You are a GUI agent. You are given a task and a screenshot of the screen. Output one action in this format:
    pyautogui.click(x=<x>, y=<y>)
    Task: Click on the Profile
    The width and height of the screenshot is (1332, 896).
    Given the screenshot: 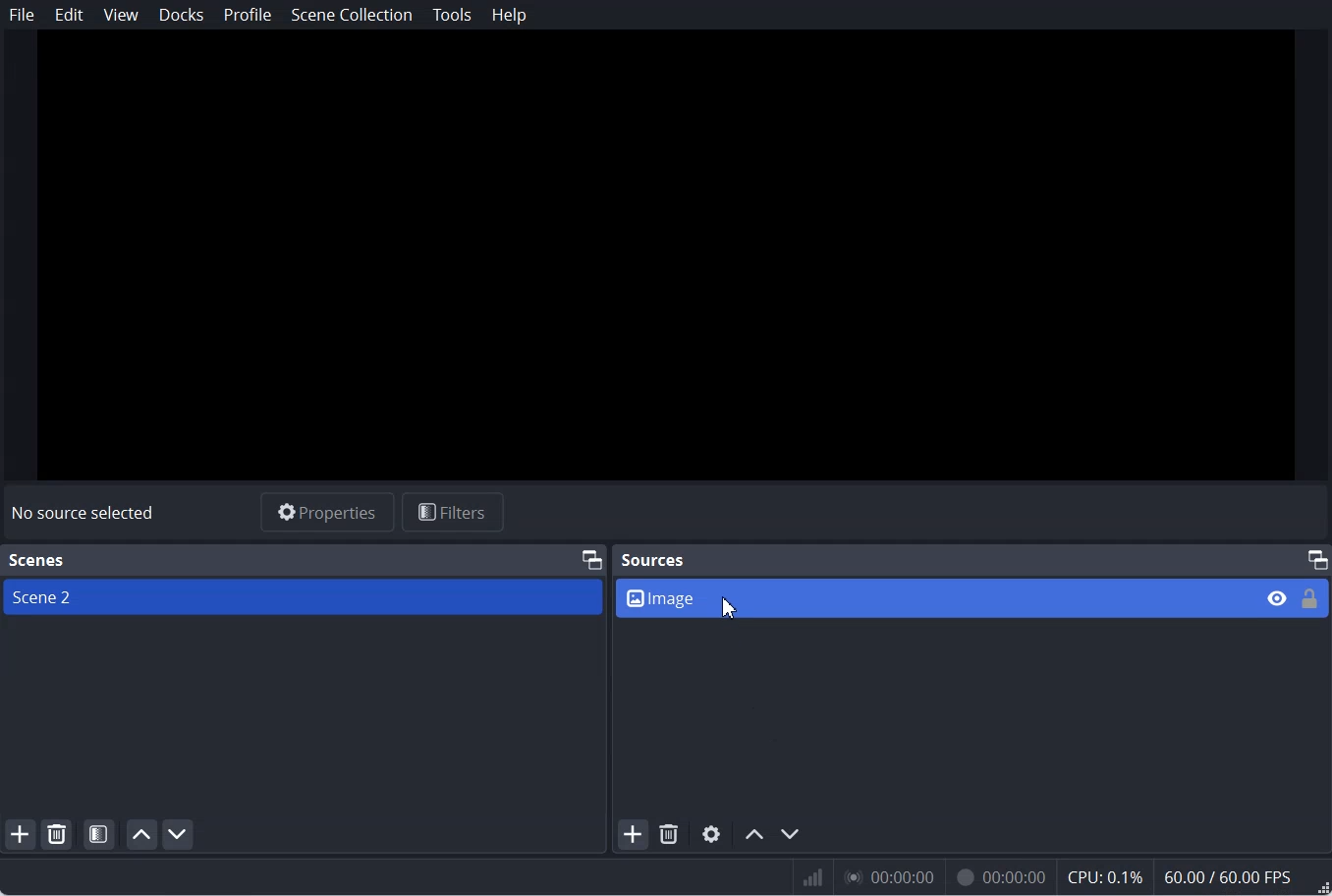 What is the action you would take?
    pyautogui.click(x=247, y=16)
    